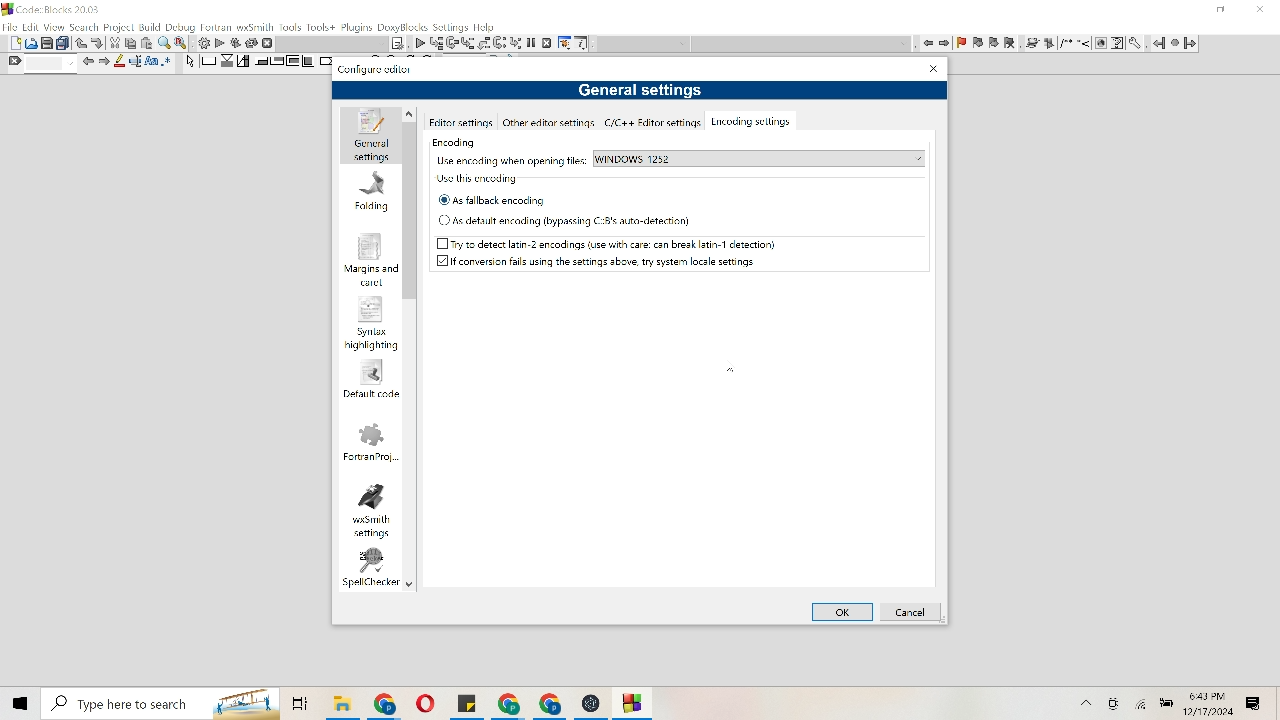 The width and height of the screenshot is (1280, 720). Describe the element at coordinates (299, 704) in the screenshot. I see `folders` at that location.